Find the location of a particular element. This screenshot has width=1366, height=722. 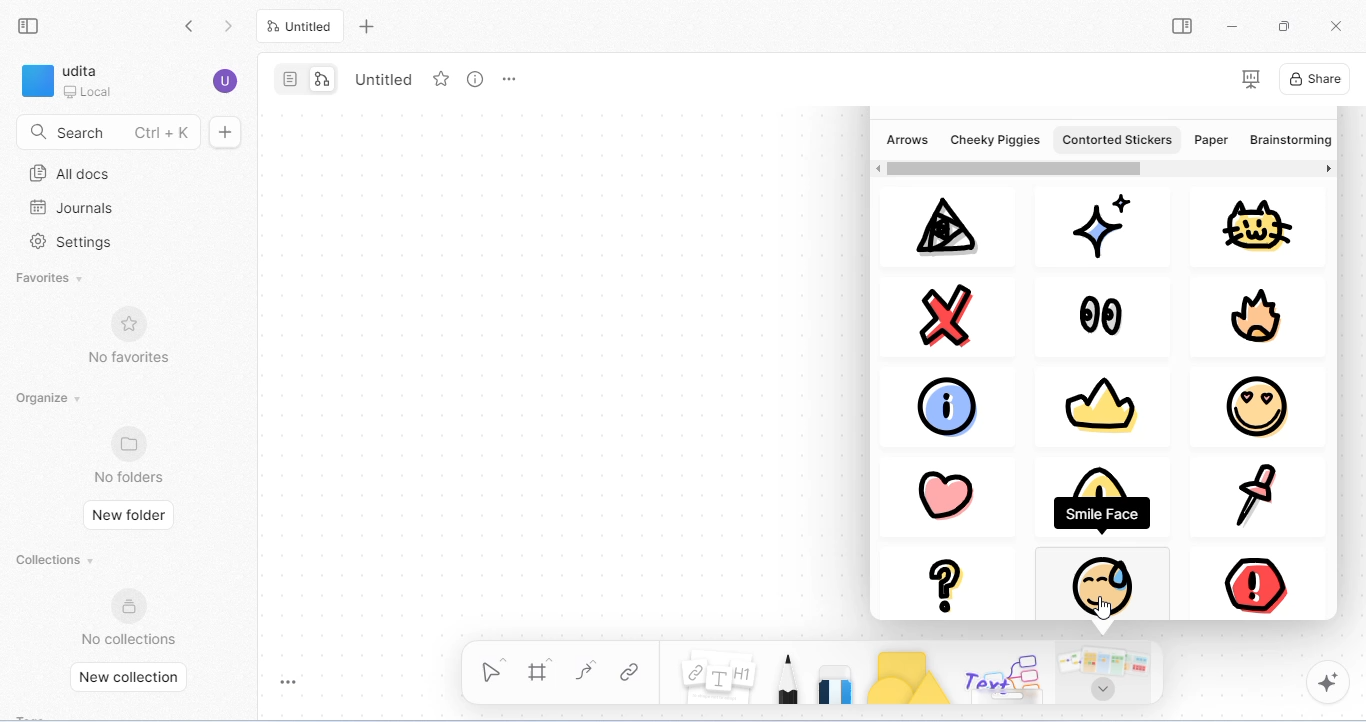

brainstorming is located at coordinates (1288, 141).